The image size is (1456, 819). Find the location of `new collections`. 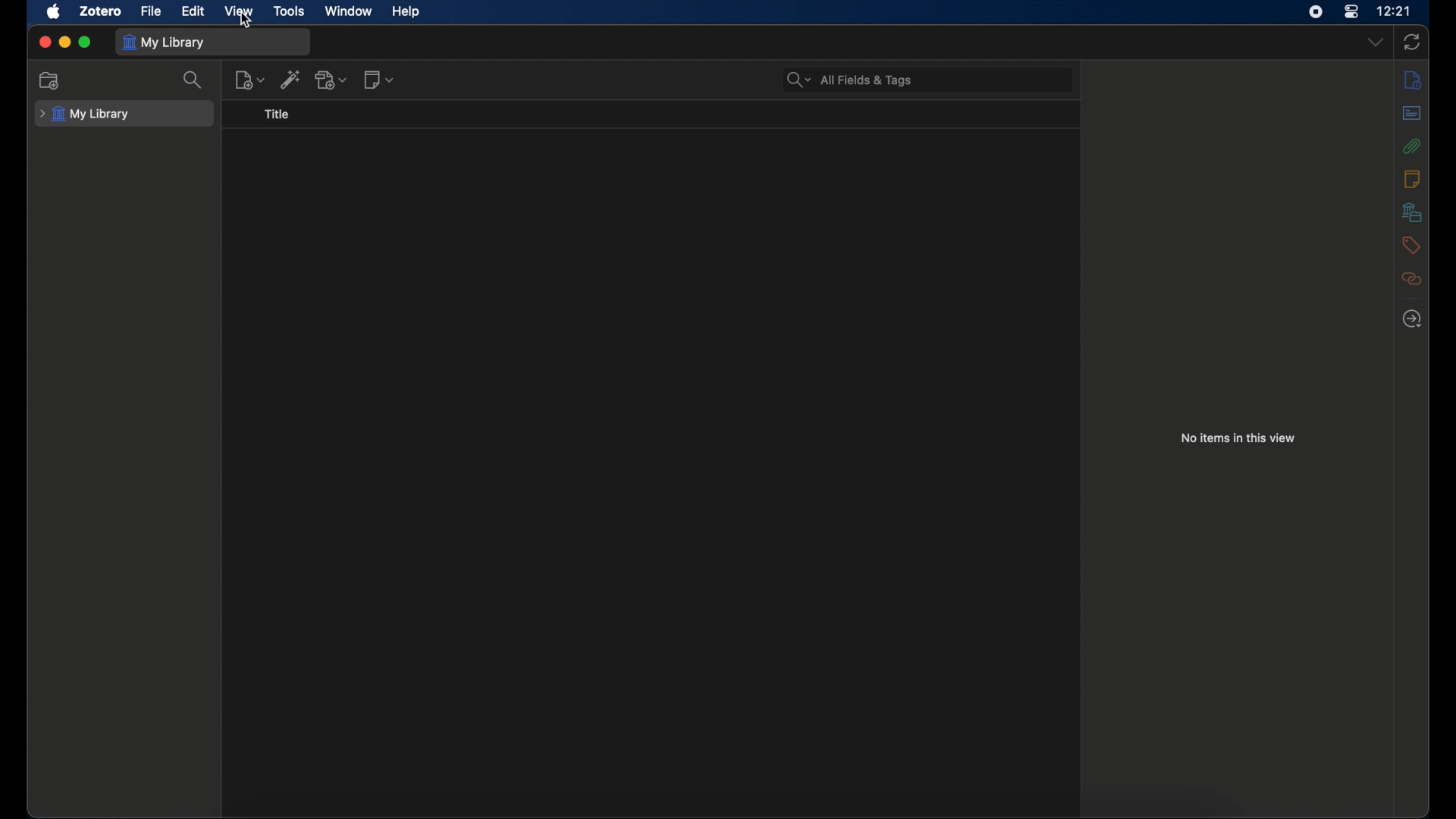

new collections is located at coordinates (49, 81).